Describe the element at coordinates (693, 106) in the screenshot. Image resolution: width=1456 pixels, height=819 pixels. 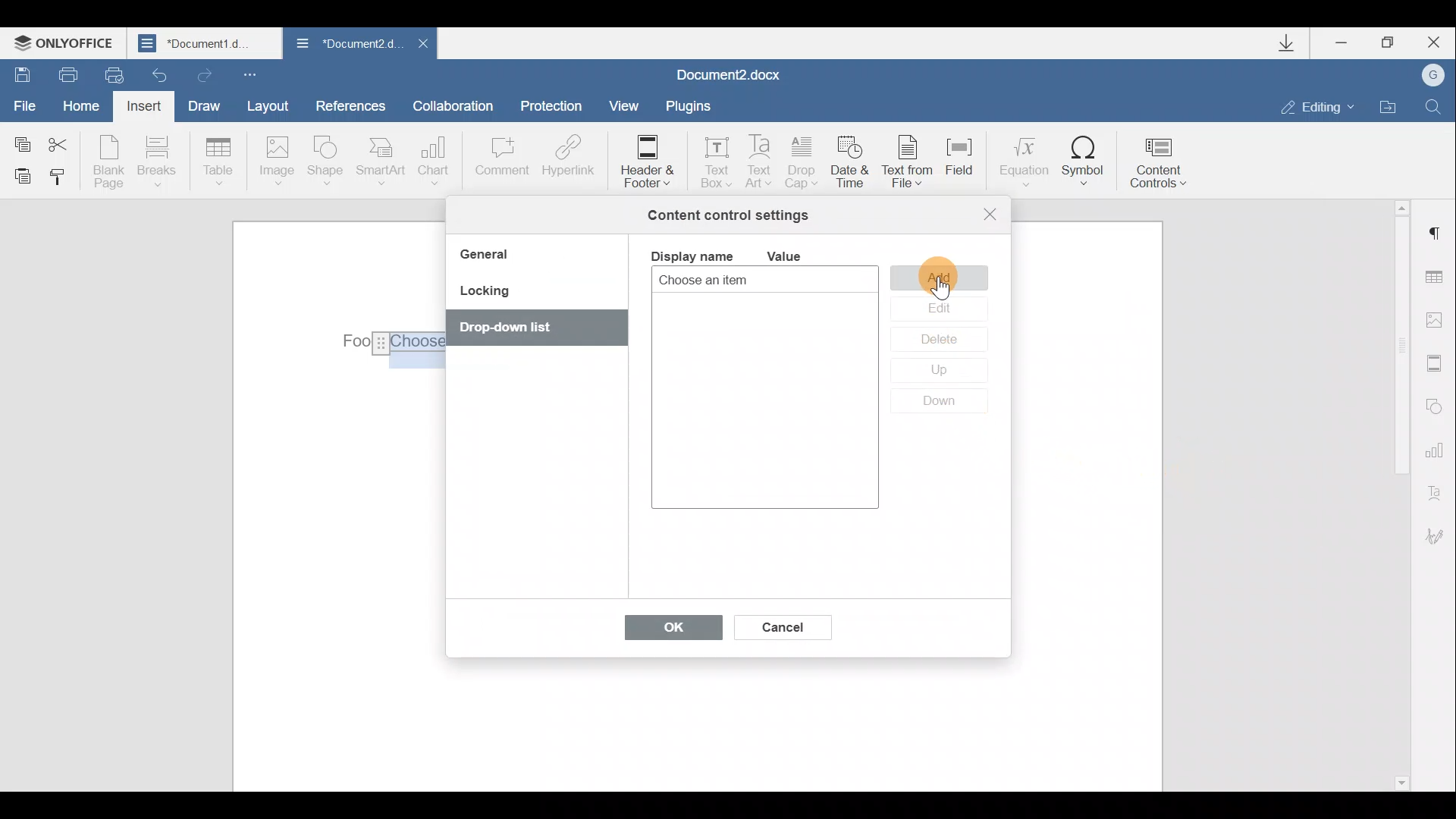
I see `Plugins` at that location.